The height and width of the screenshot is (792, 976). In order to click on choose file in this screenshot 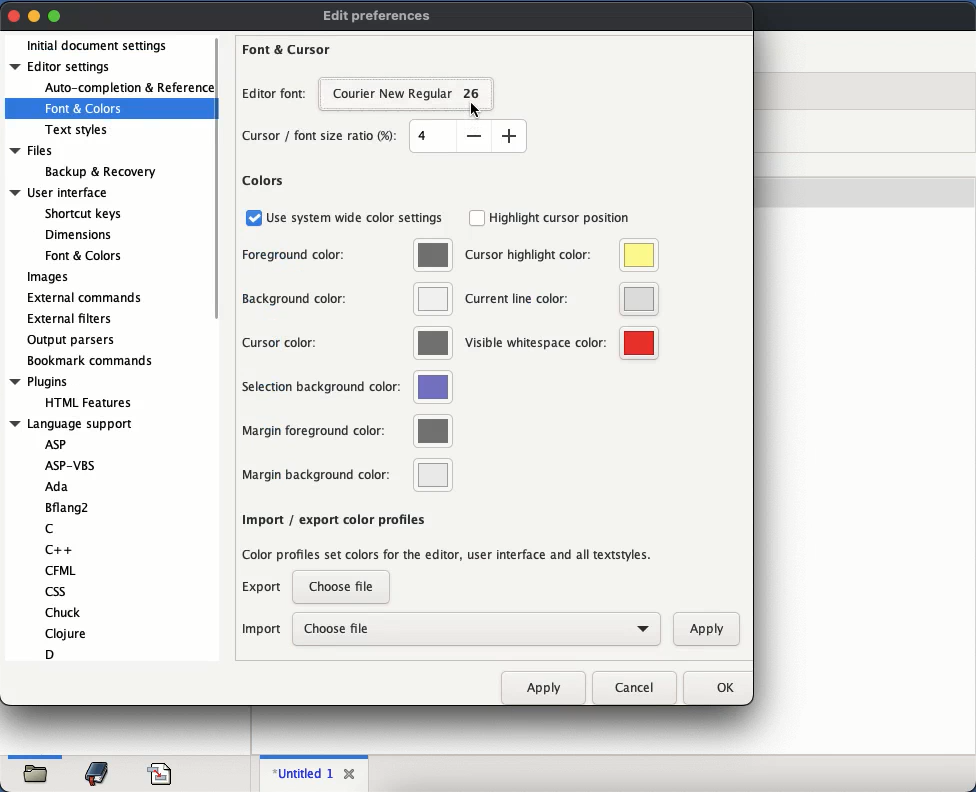, I will do `click(481, 629)`.